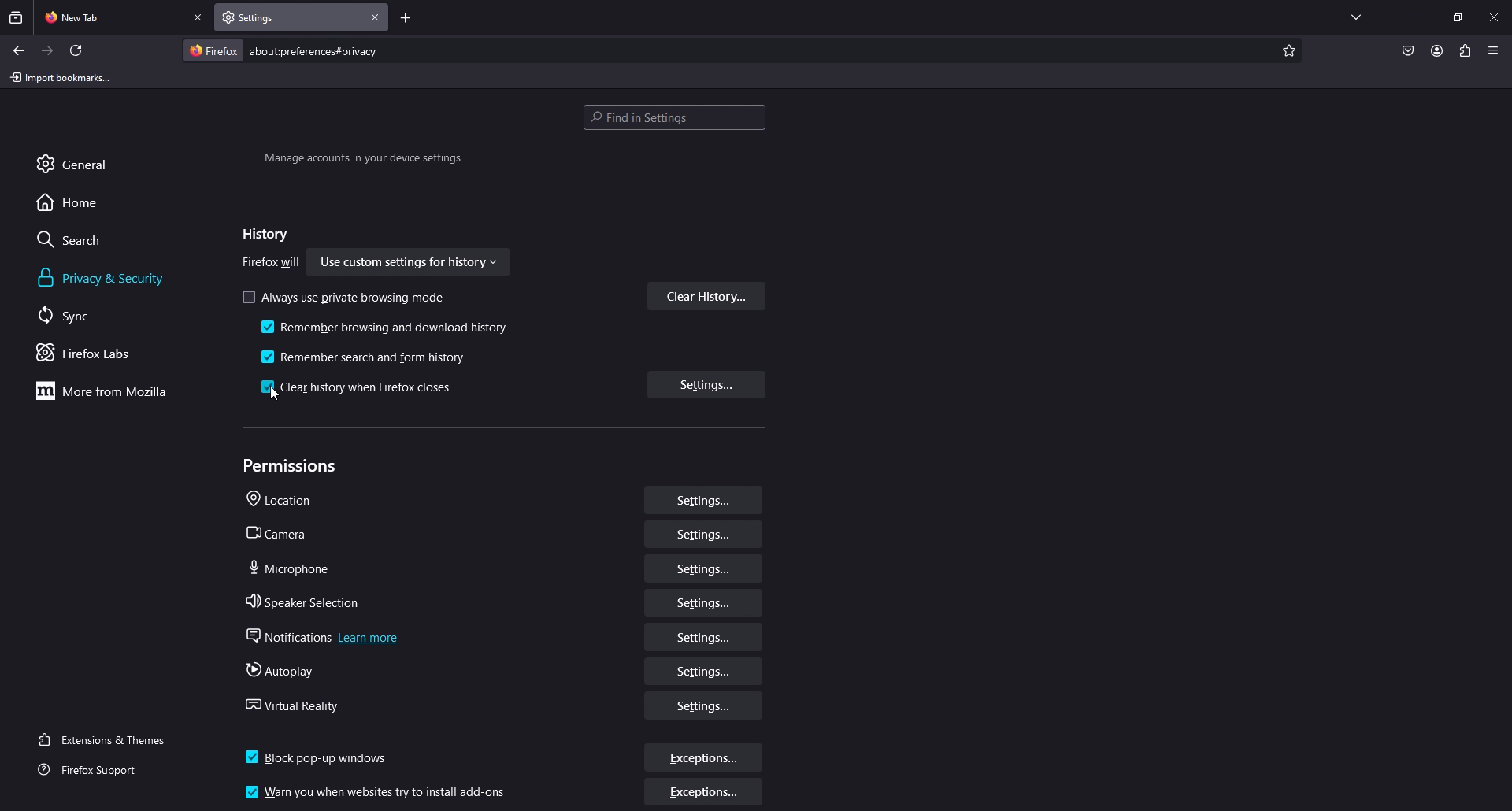 This screenshot has height=811, width=1512. I want to click on autoplay, so click(280, 668).